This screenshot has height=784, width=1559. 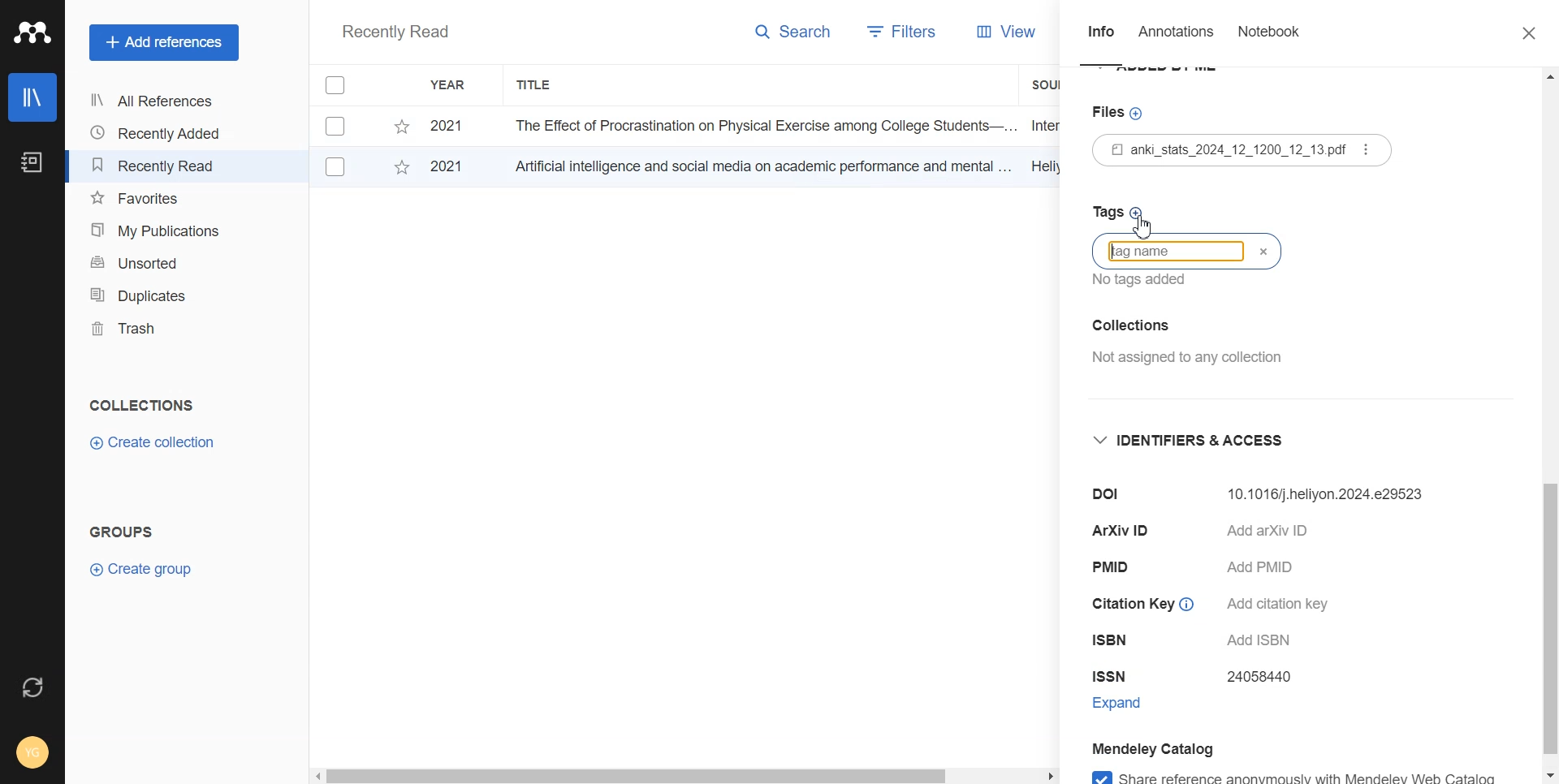 What do you see at coordinates (1311, 774) in the screenshot?
I see `Share reference anonymously with mendeley web catlog` at bounding box center [1311, 774].